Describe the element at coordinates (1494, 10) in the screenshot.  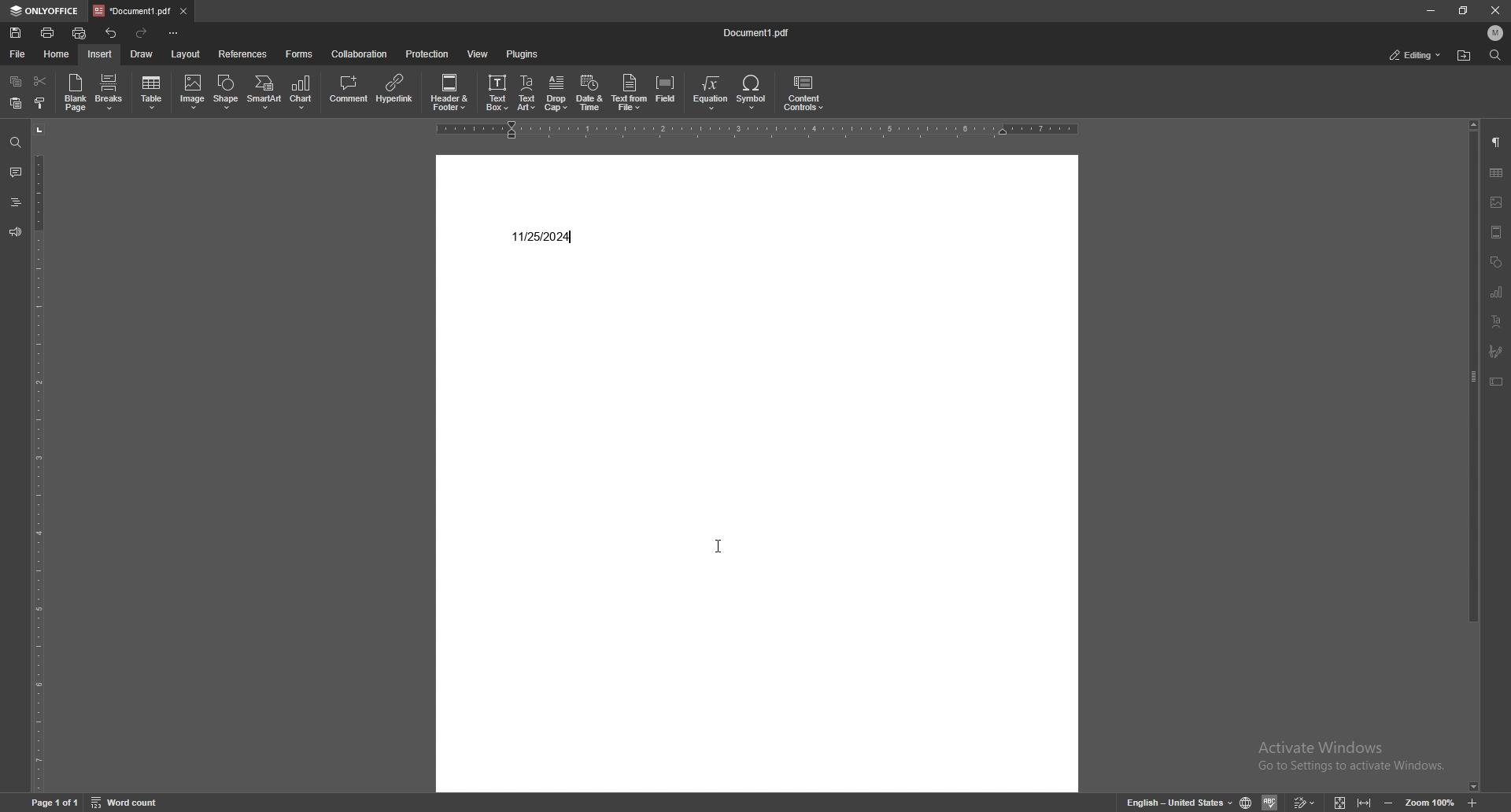
I see `close` at that location.